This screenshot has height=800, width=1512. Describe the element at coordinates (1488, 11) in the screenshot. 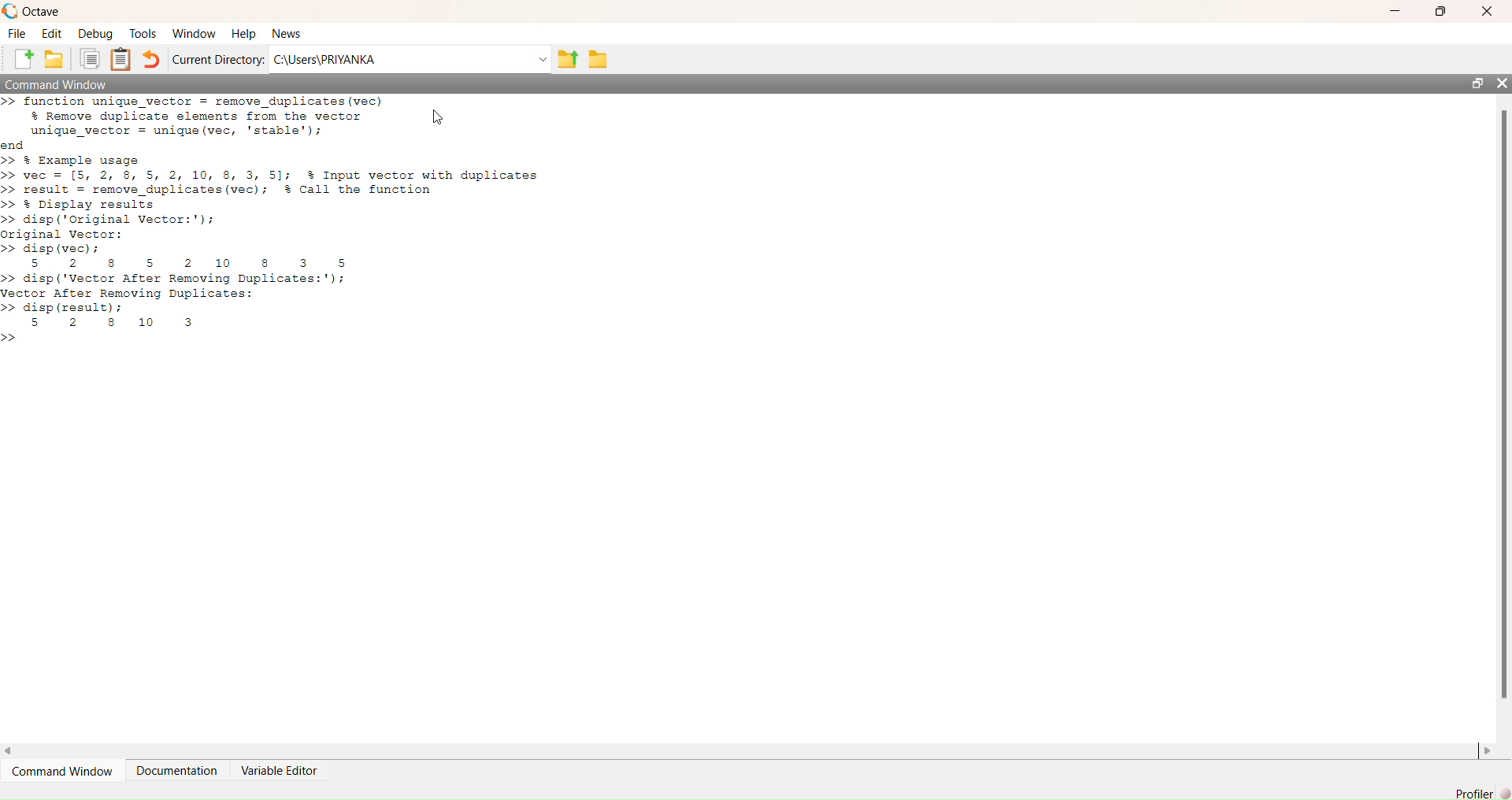

I see `close` at that location.